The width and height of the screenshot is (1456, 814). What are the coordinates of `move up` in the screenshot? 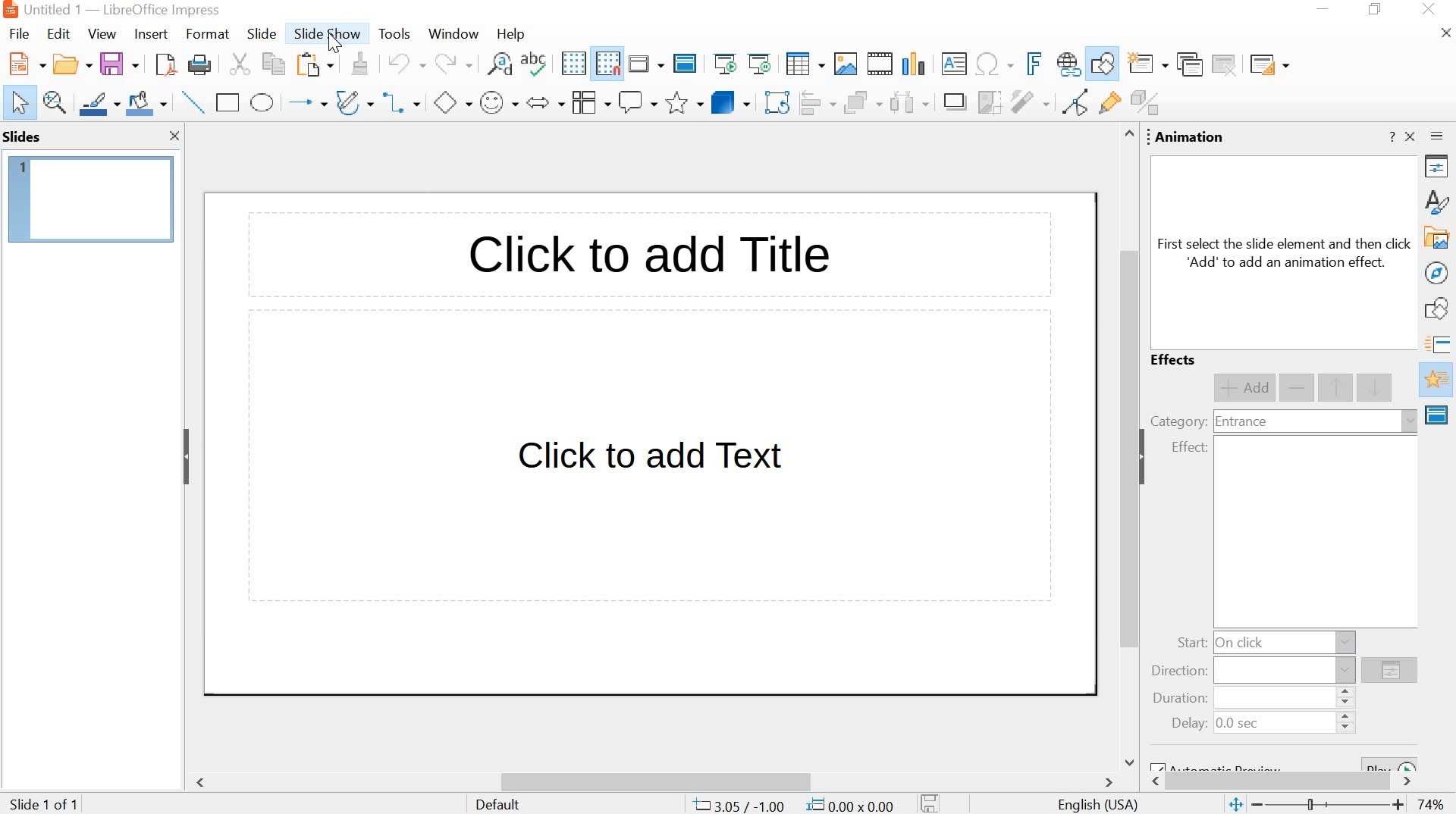 It's located at (1337, 388).